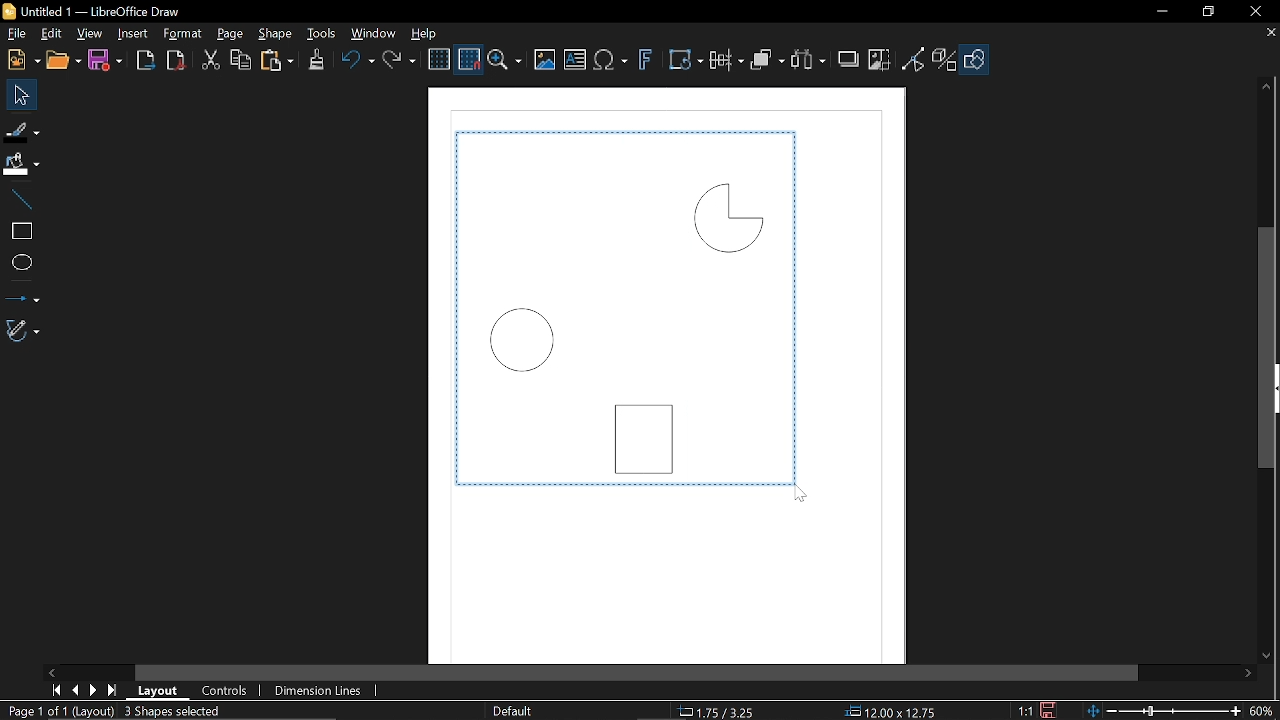 The image size is (1280, 720). I want to click on Shadow, so click(848, 61).